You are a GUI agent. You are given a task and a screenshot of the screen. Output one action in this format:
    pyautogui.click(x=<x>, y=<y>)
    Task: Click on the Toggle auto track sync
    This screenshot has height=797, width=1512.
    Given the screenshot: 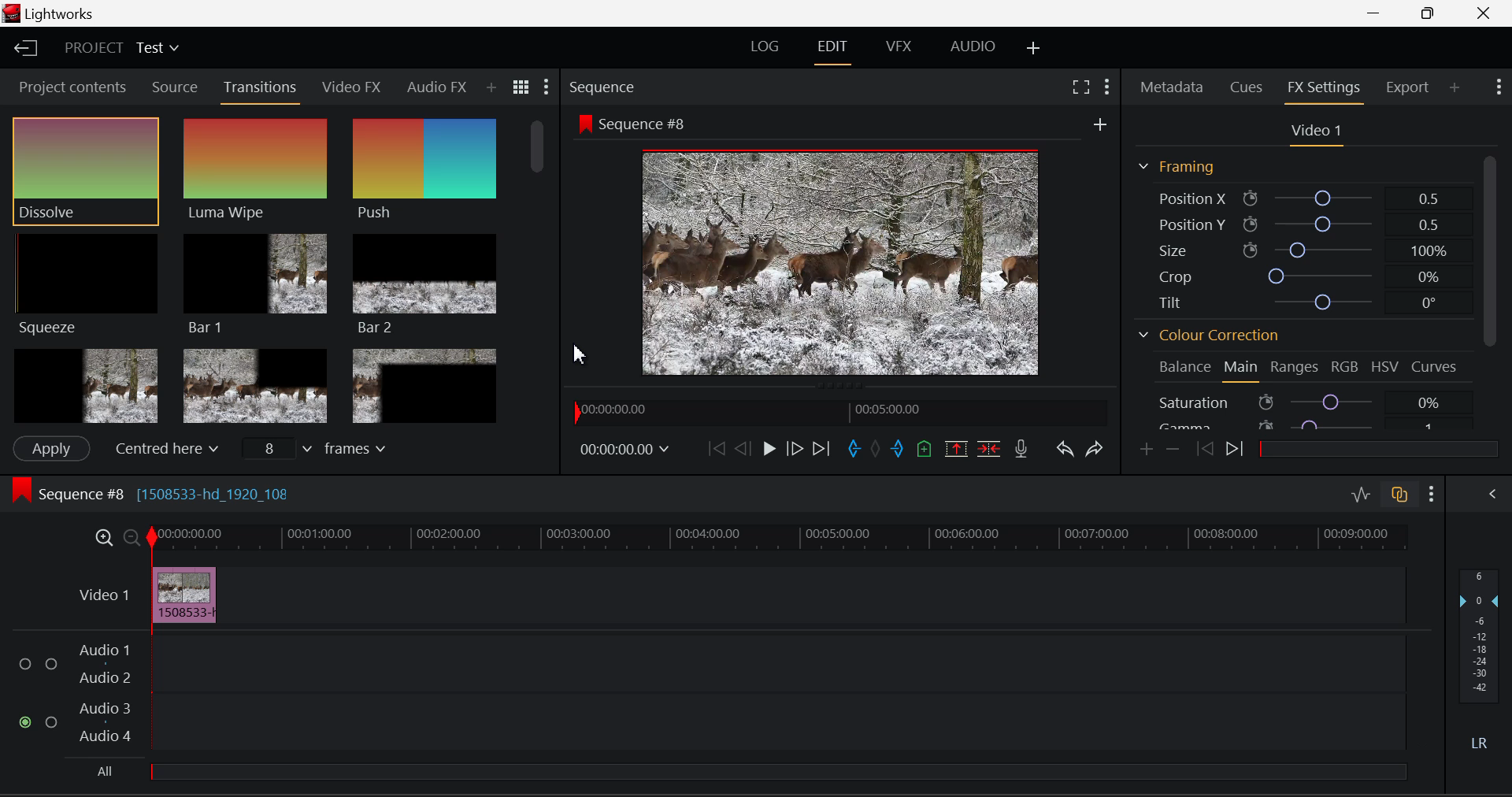 What is the action you would take?
    pyautogui.click(x=1400, y=495)
    